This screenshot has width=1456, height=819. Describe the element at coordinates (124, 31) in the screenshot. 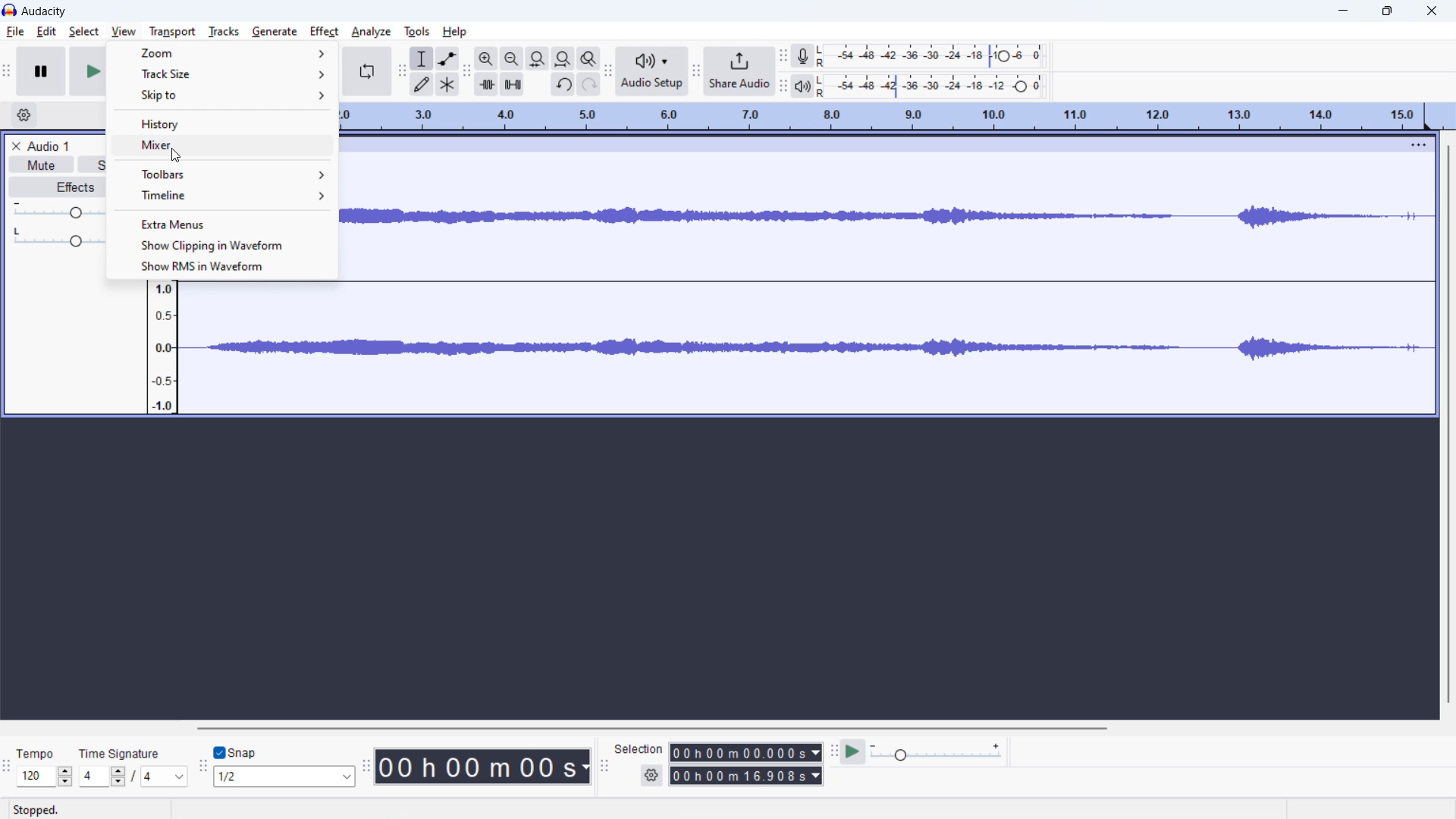

I see `view` at that location.